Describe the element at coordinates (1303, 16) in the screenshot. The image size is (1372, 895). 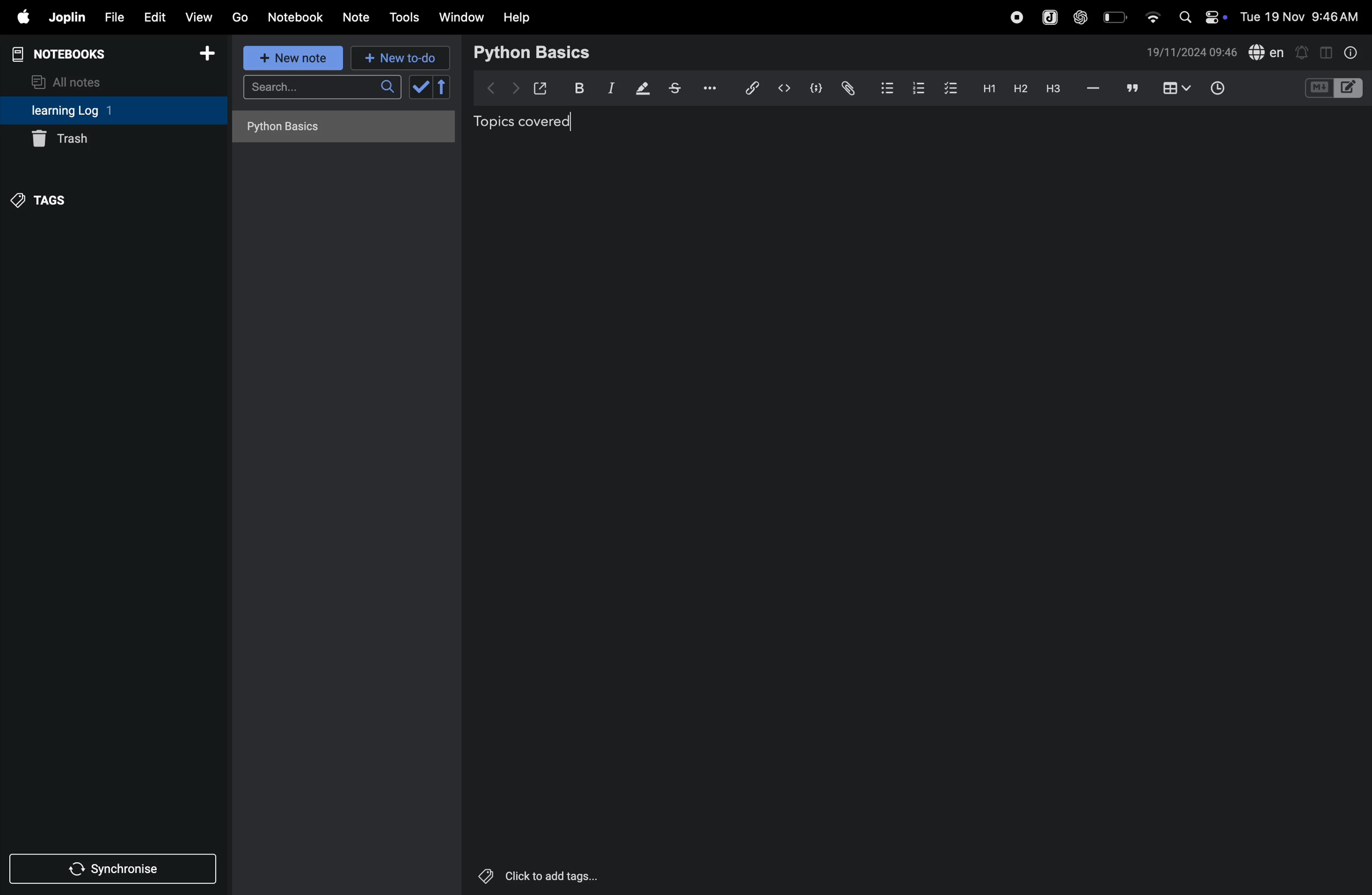
I see `date and time` at that location.